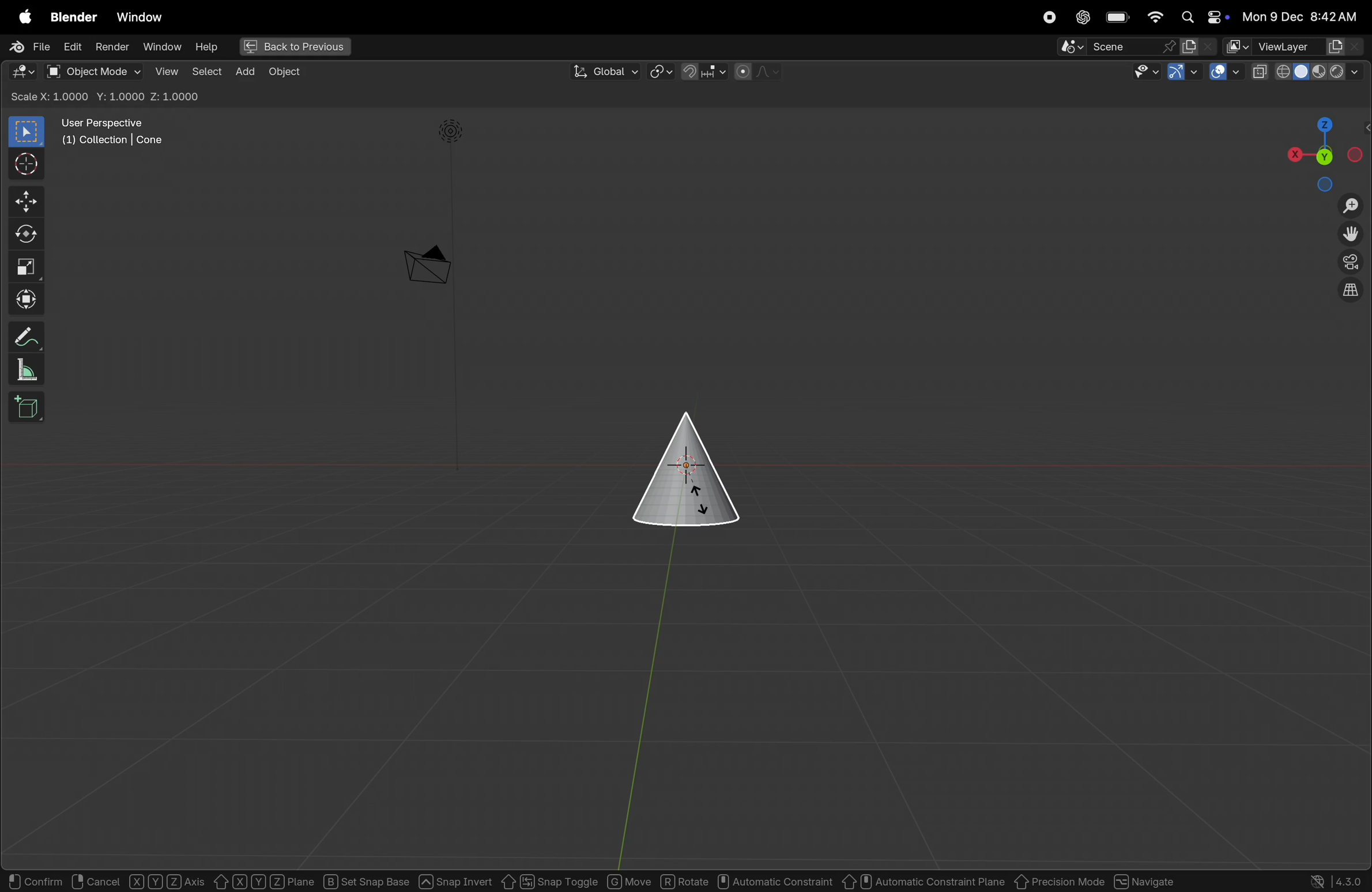 This screenshot has height=892, width=1372. I want to click on proportional objects, so click(760, 71).